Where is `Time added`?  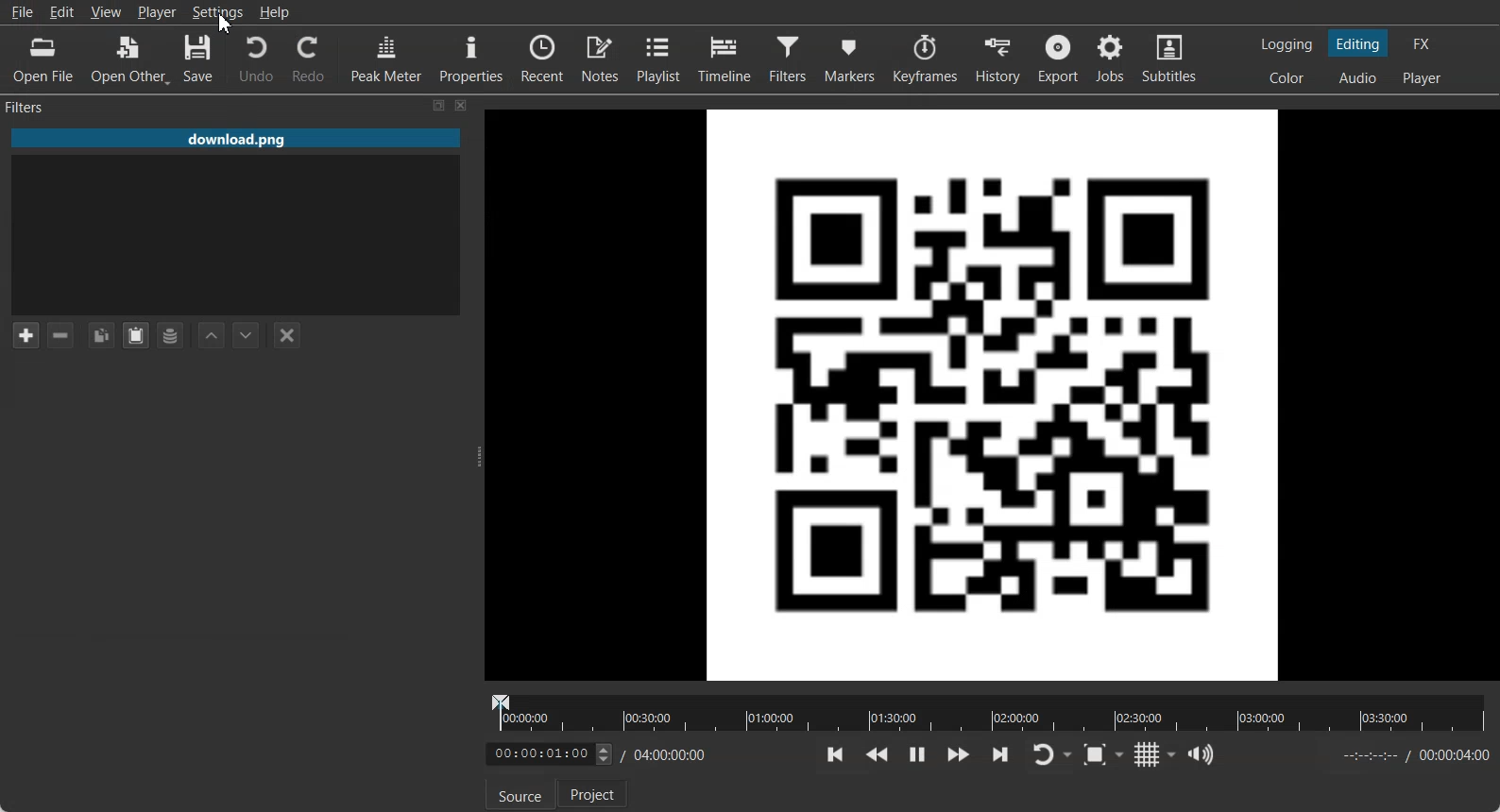
Time added is located at coordinates (596, 754).